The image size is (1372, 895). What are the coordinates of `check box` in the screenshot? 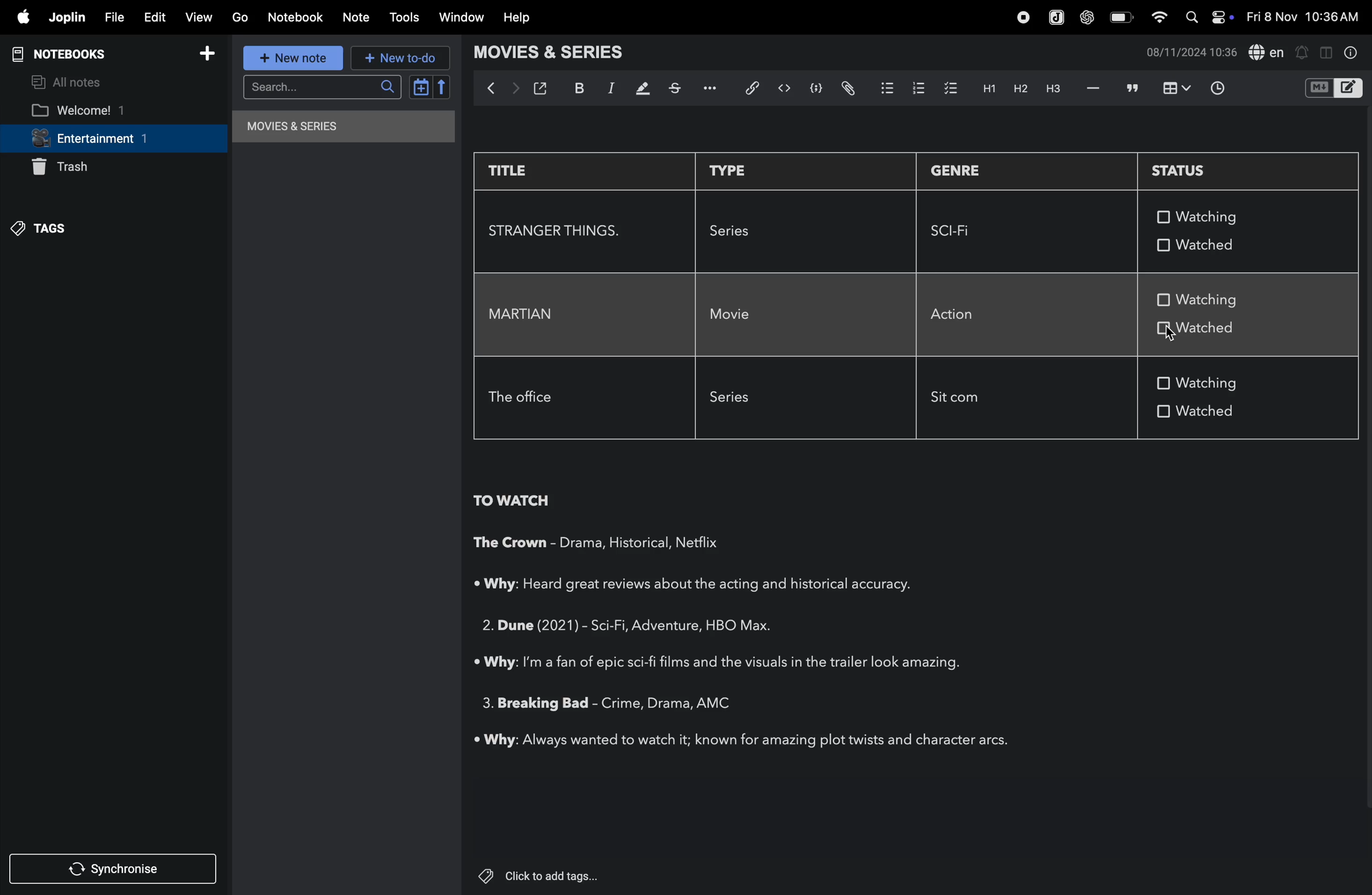 It's located at (1163, 383).